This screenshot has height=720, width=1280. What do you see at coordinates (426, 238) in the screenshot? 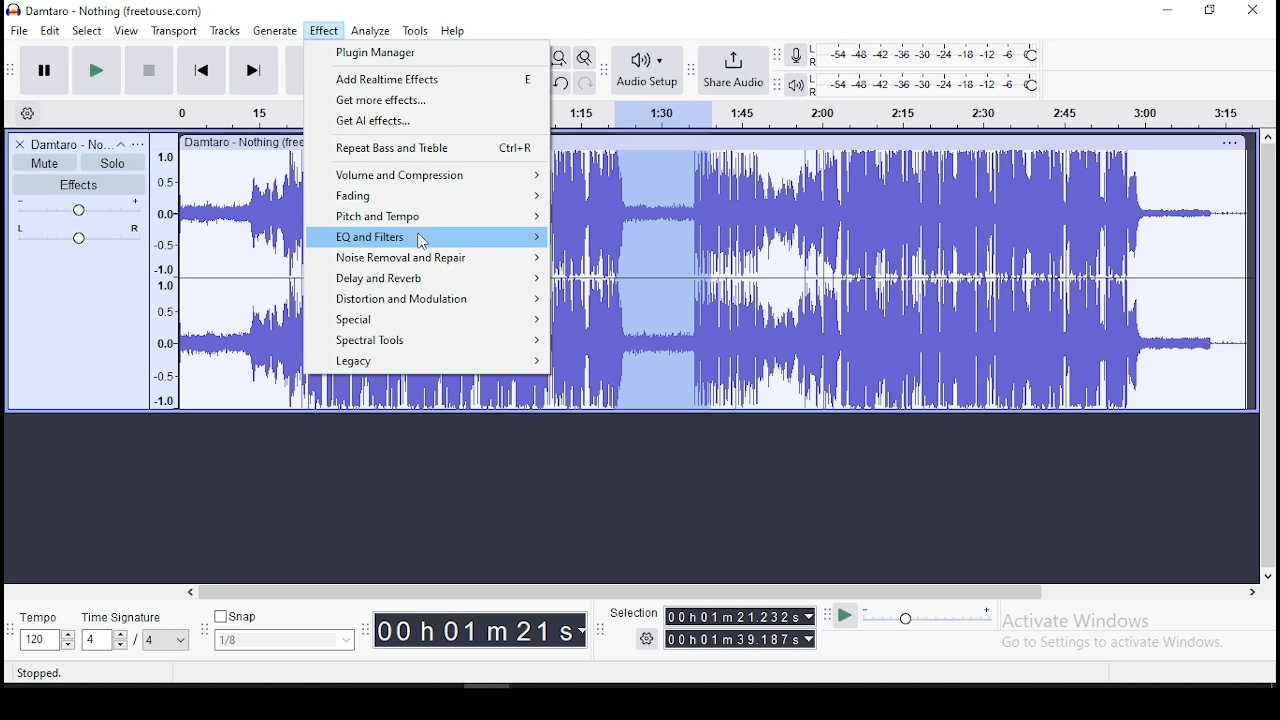
I see `EQ and filters` at bounding box center [426, 238].